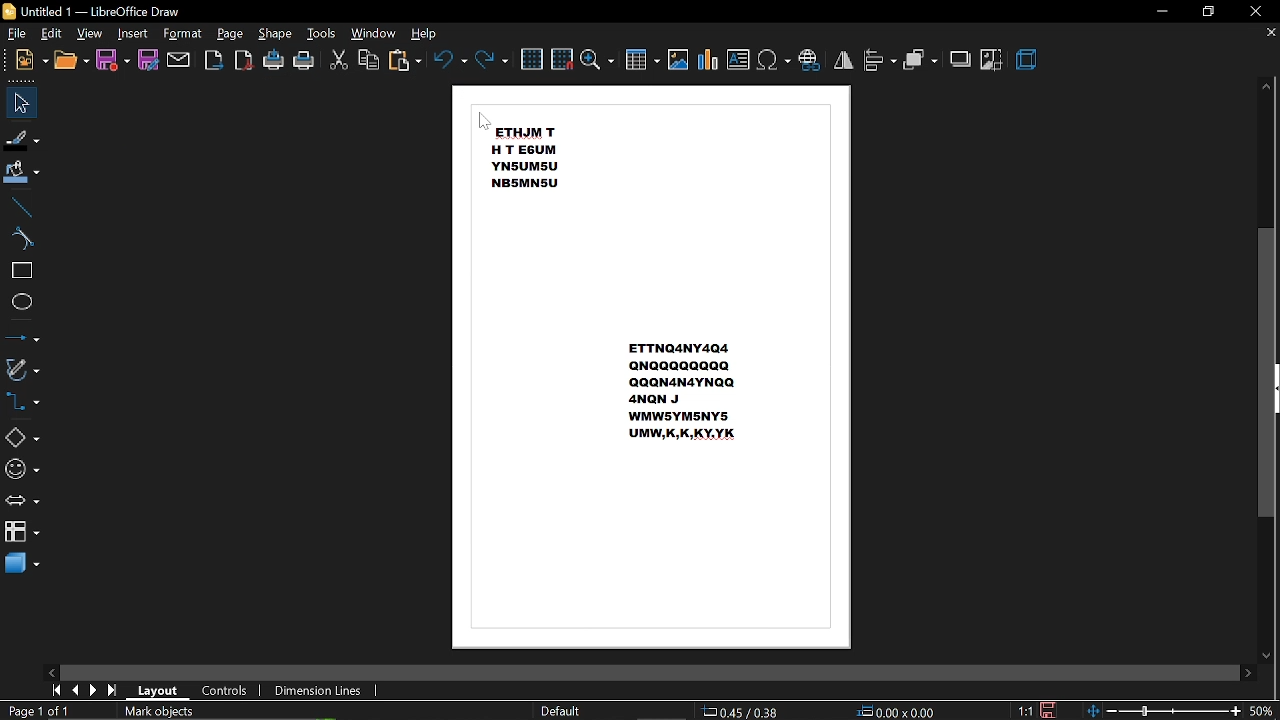 The width and height of the screenshot is (1280, 720). Describe the element at coordinates (21, 205) in the screenshot. I see `line` at that location.